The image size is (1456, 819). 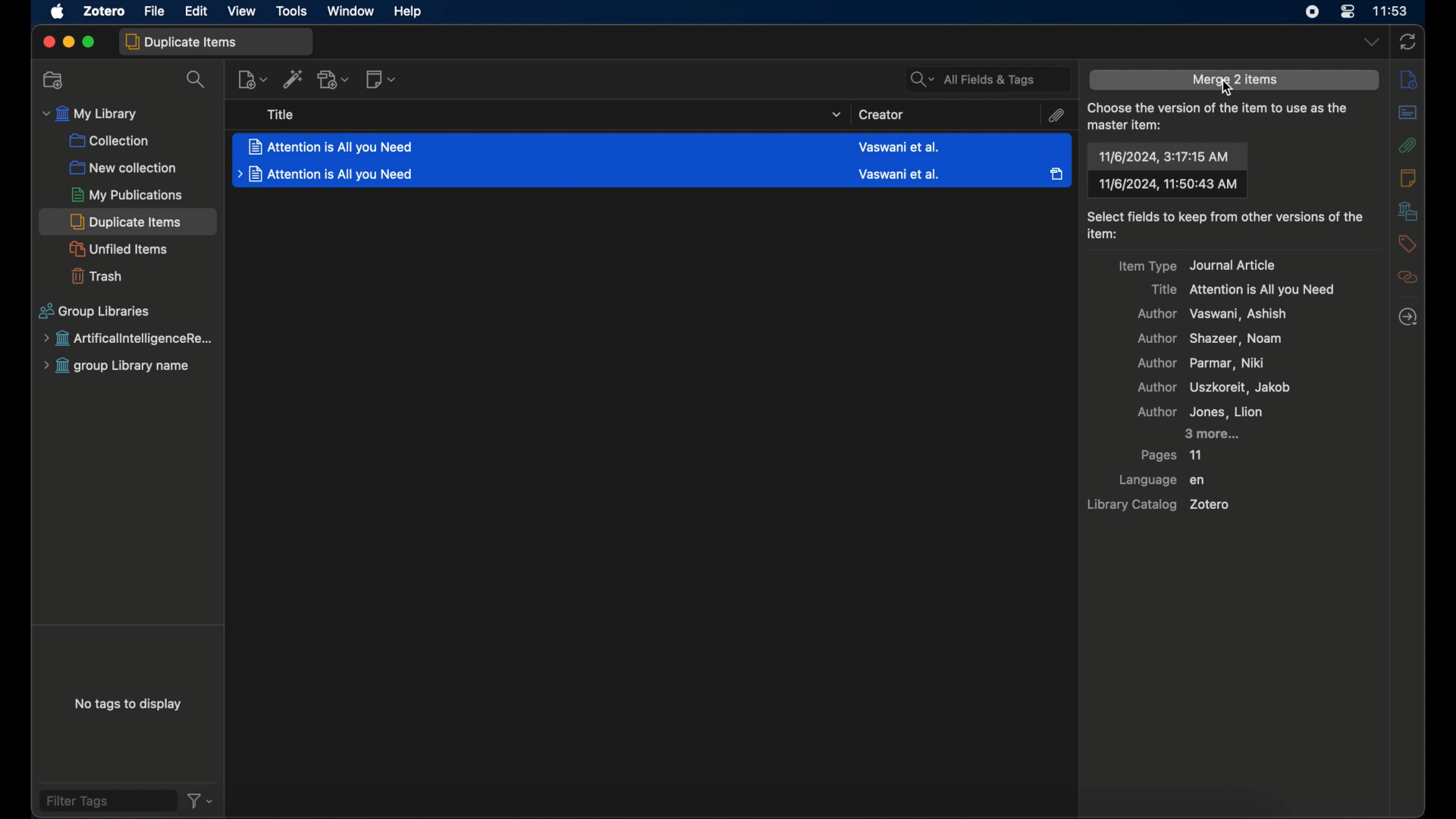 I want to click on zotero, so click(x=104, y=10).